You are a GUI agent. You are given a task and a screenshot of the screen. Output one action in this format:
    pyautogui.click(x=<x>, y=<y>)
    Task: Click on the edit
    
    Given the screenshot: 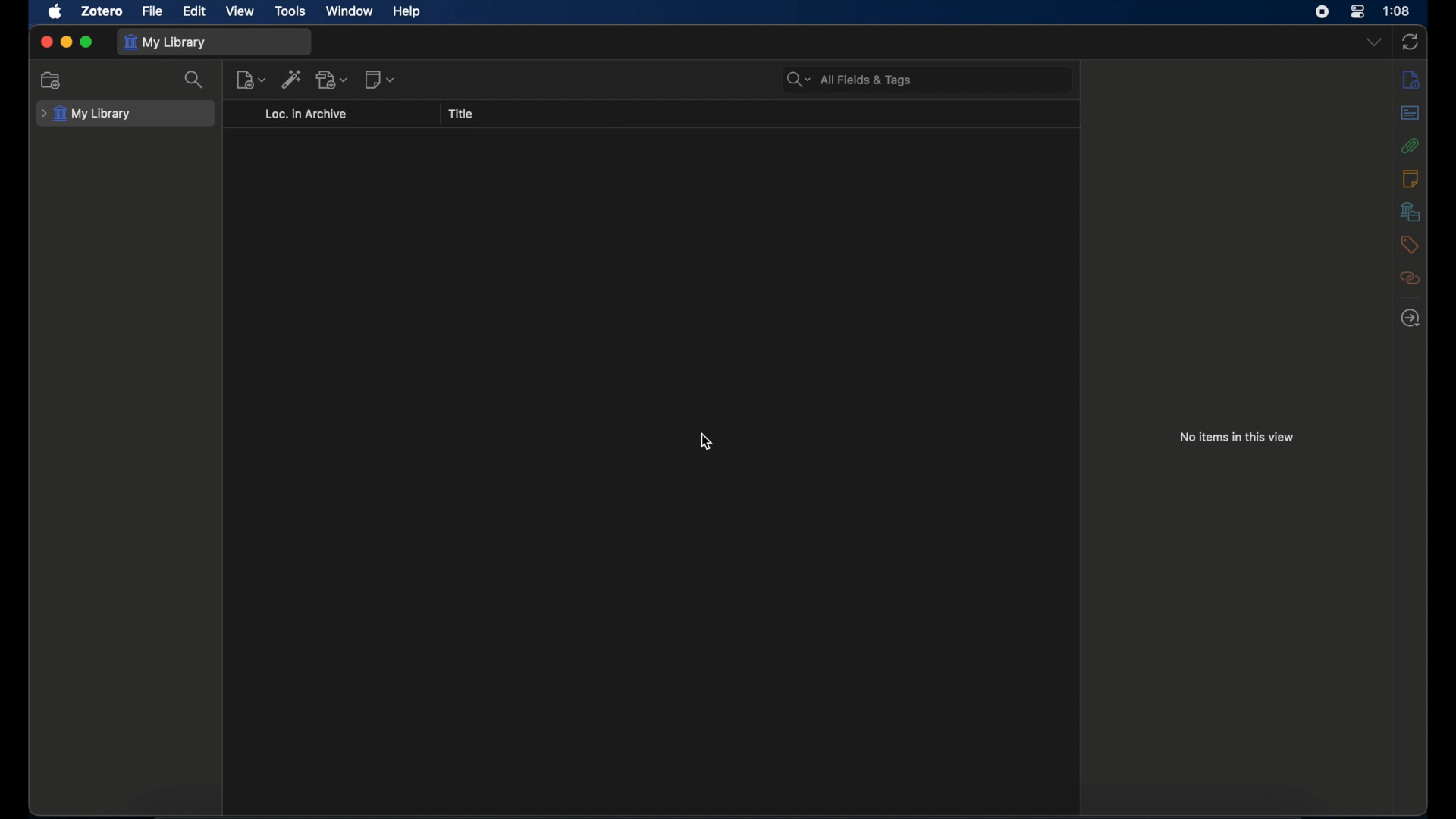 What is the action you would take?
    pyautogui.click(x=195, y=11)
    